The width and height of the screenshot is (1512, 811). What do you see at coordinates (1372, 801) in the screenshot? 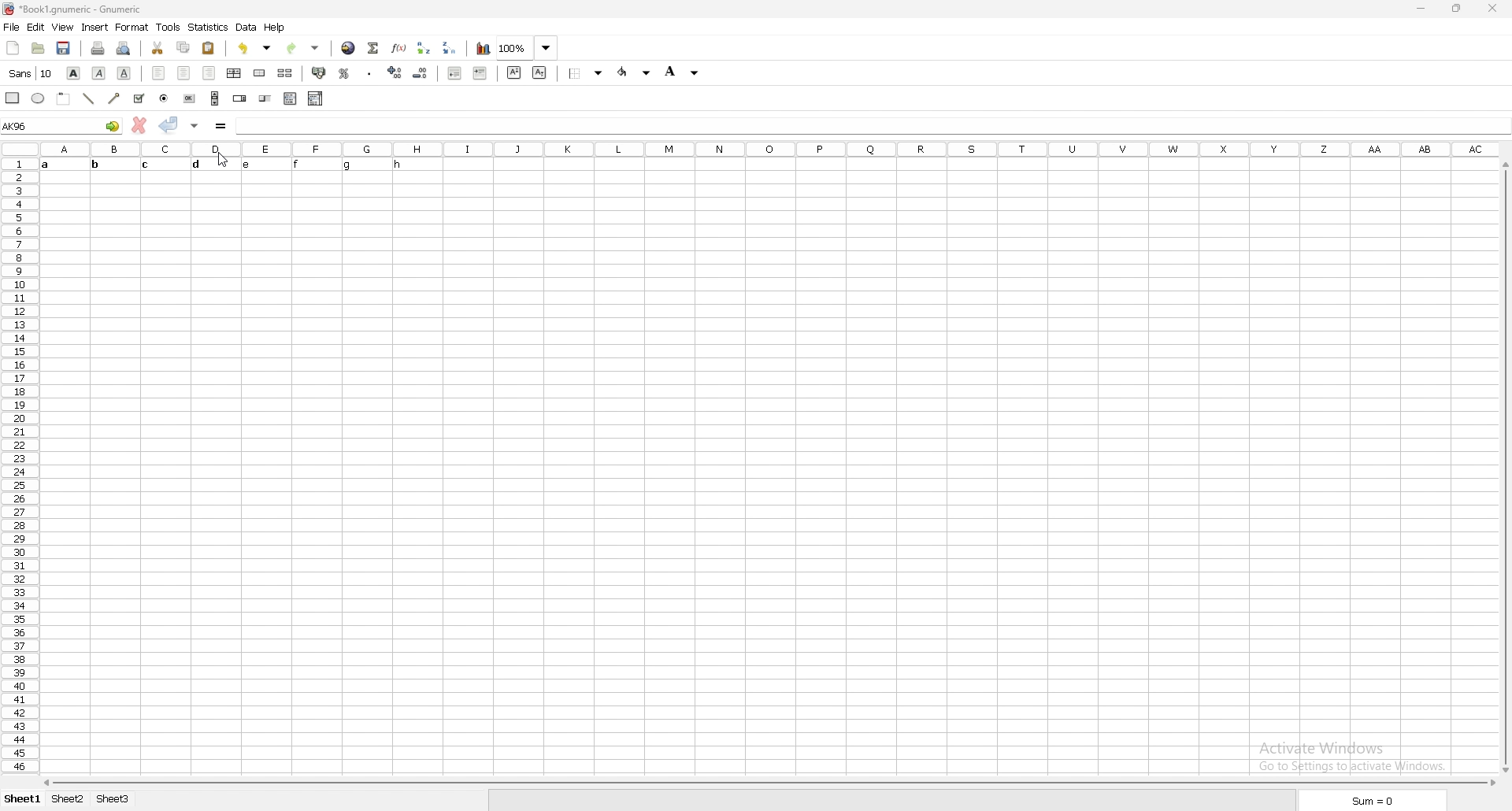
I see `sum` at bounding box center [1372, 801].